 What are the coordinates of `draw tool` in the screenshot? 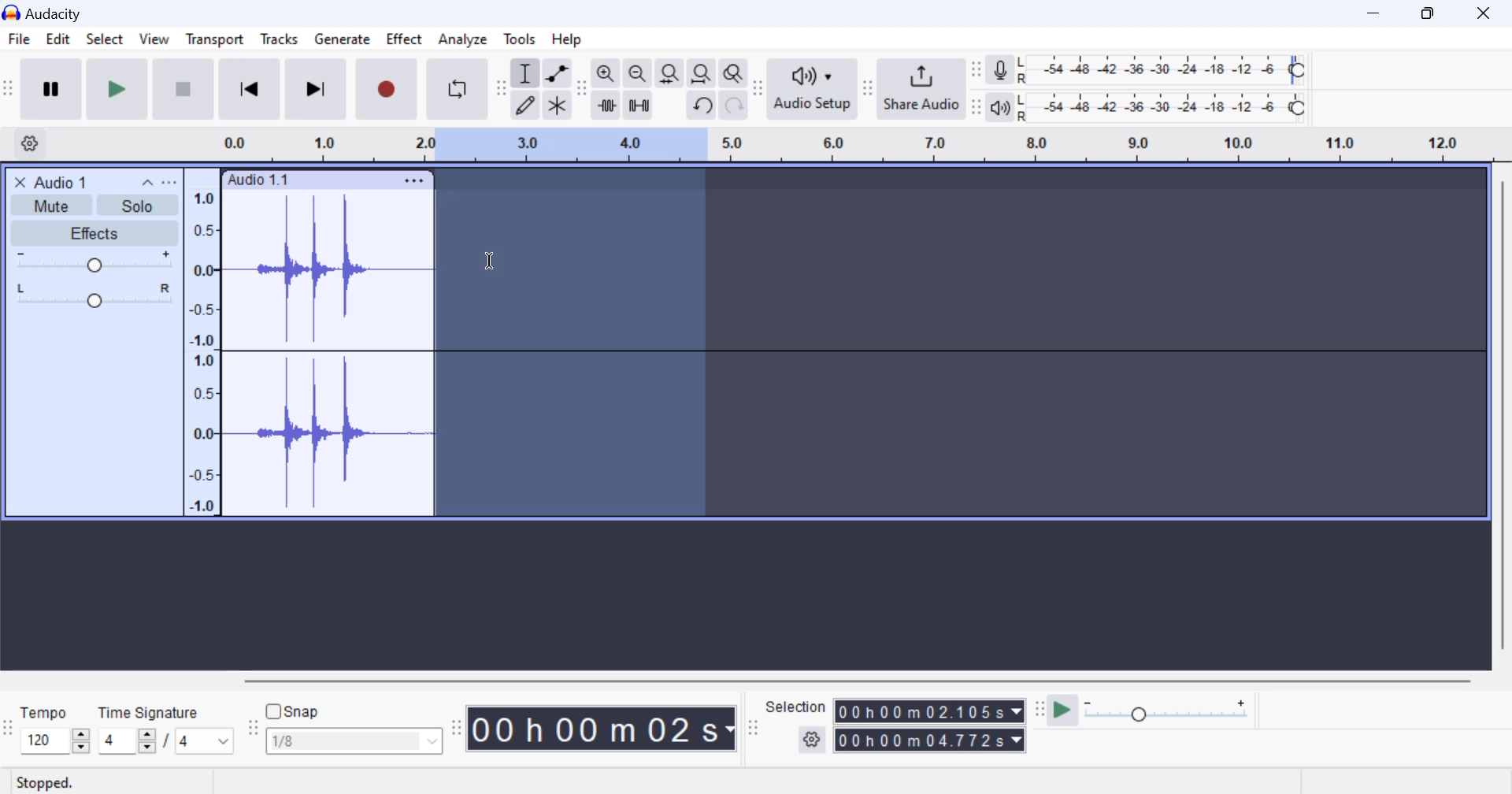 It's located at (525, 106).